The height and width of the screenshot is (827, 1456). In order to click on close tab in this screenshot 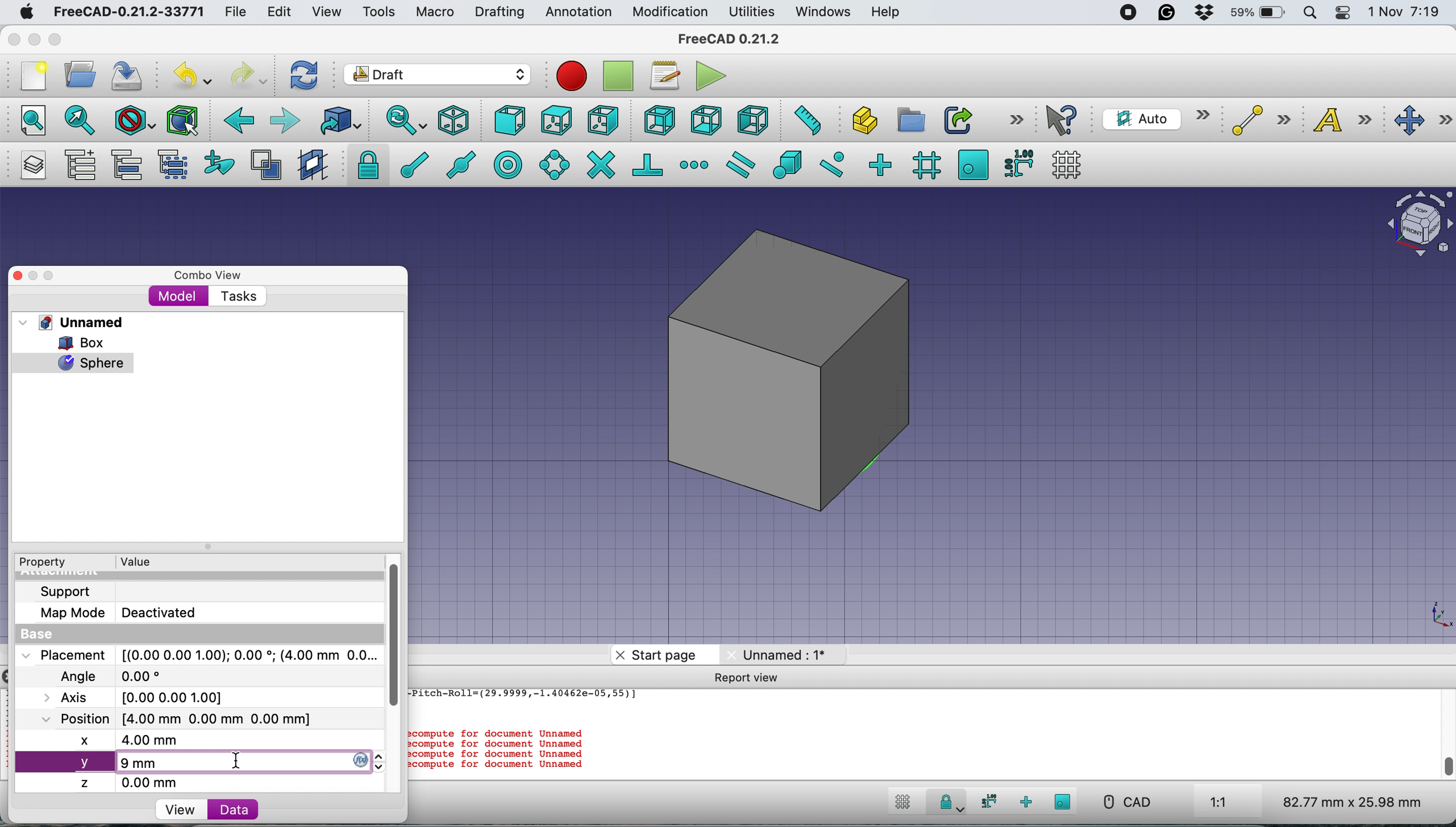, I will do `click(617, 655)`.